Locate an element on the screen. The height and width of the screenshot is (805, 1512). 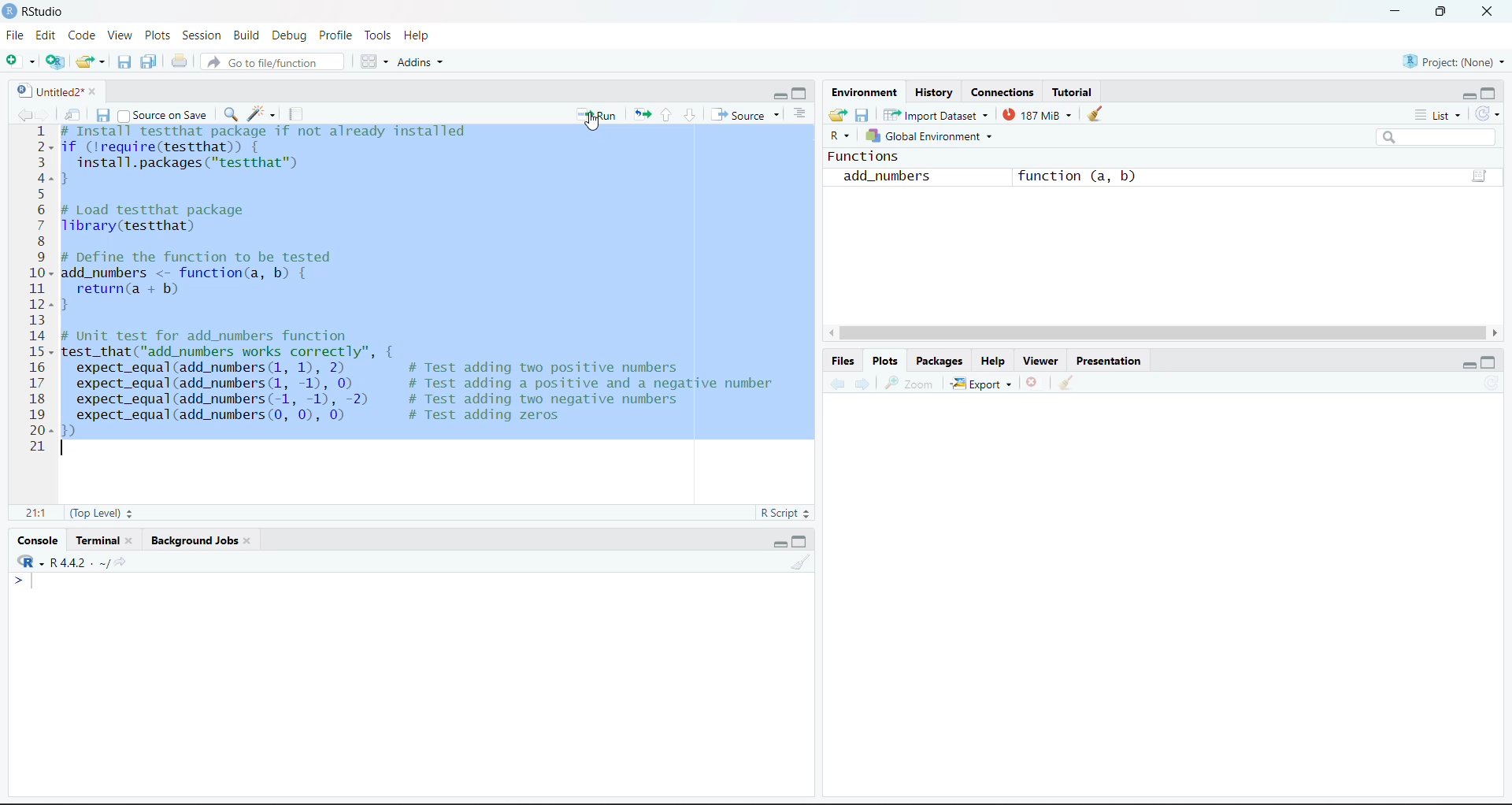
maximize is located at coordinates (799, 542).